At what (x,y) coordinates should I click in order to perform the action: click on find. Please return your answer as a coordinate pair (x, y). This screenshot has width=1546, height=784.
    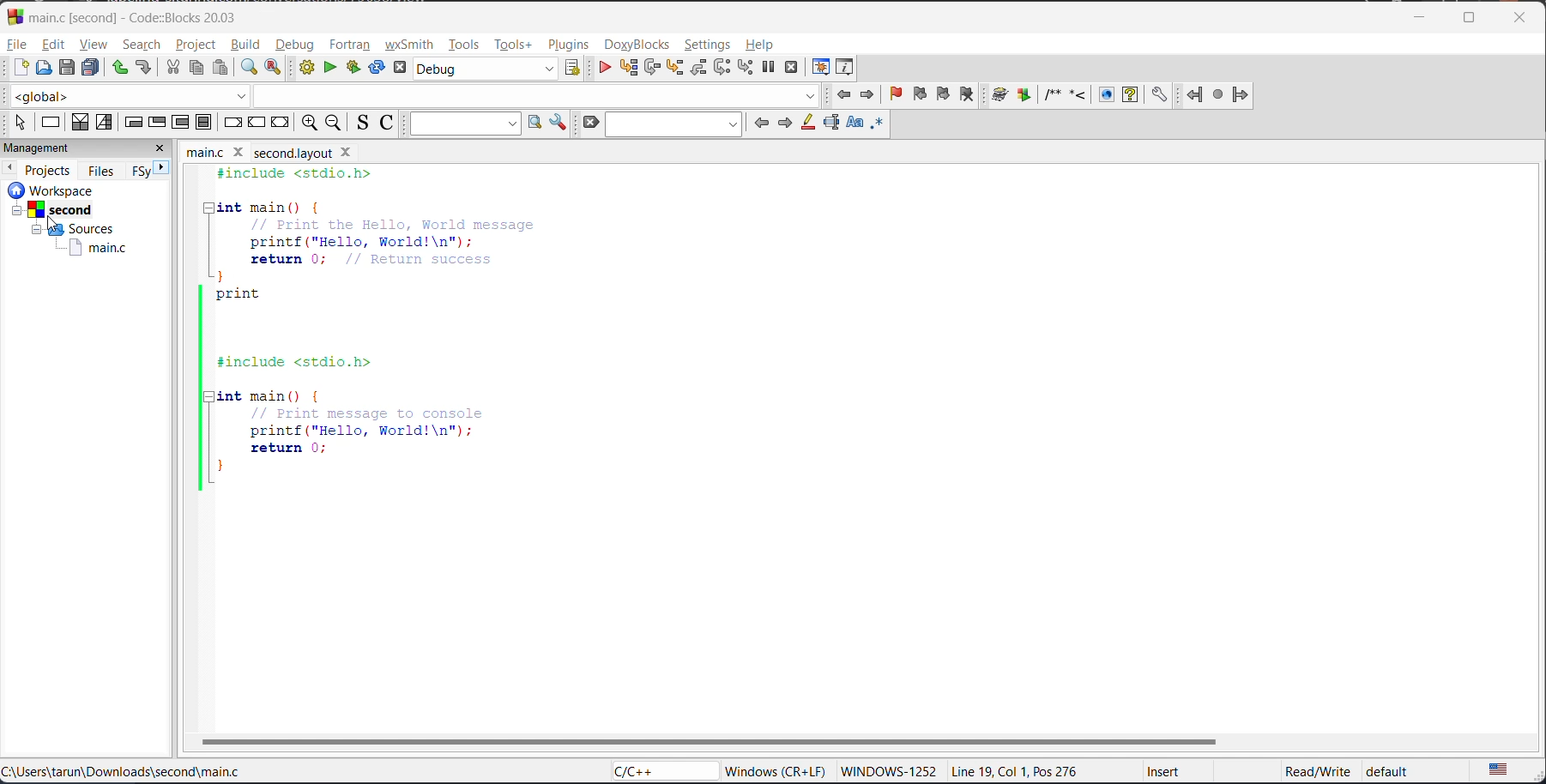
    Looking at the image, I should click on (244, 67).